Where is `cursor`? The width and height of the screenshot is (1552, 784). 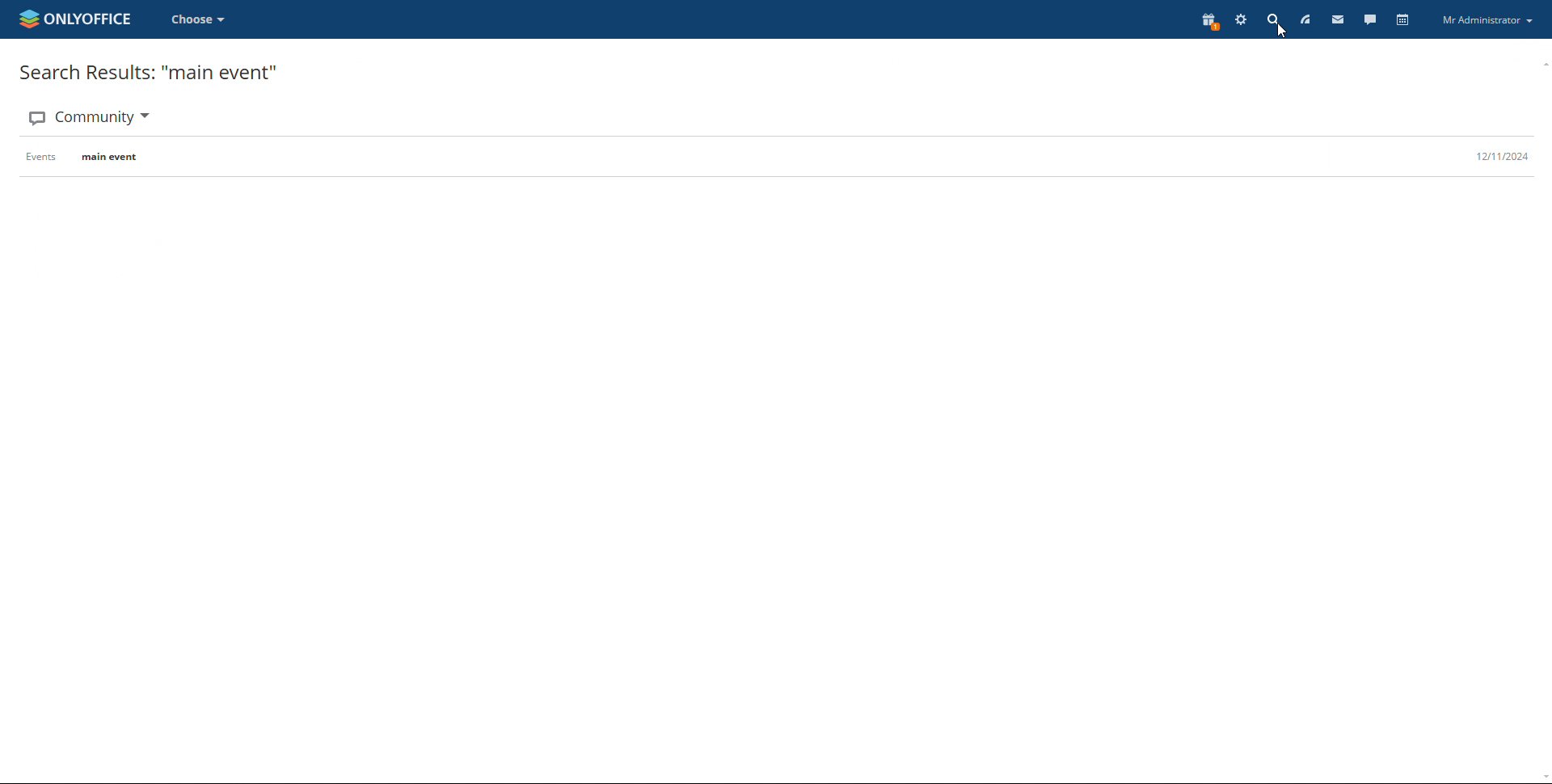 cursor is located at coordinates (1280, 31).